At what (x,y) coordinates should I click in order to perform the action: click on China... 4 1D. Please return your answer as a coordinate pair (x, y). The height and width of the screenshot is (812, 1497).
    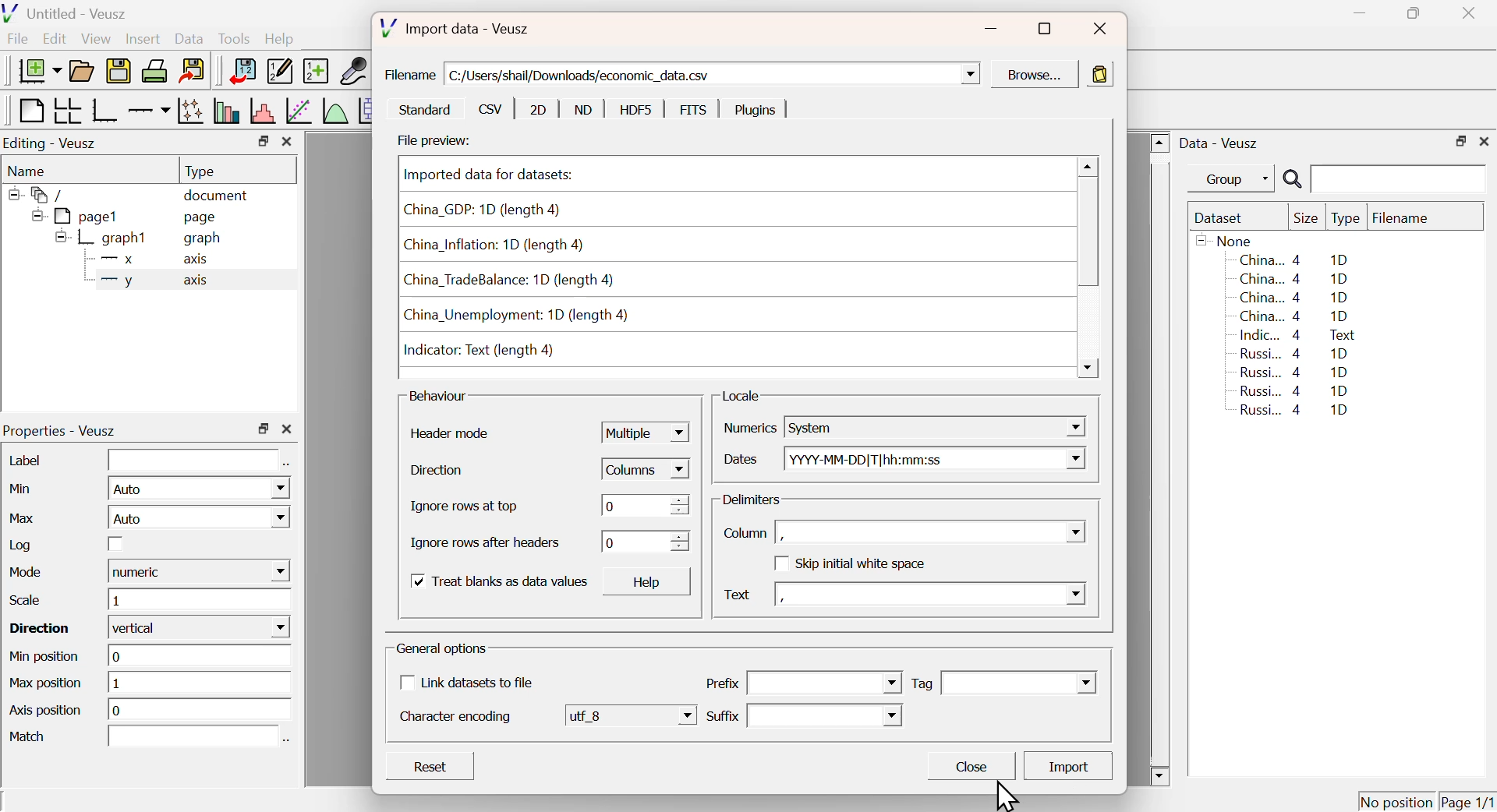
    Looking at the image, I should click on (1294, 316).